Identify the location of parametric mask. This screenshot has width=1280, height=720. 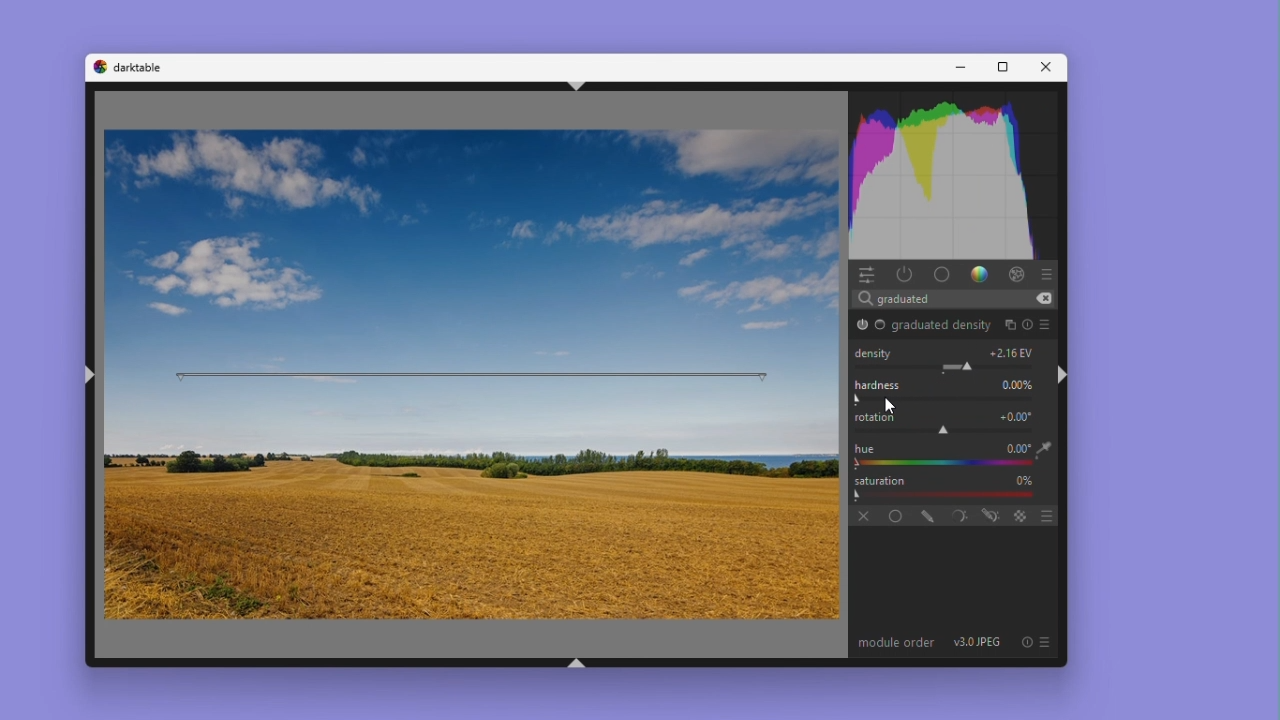
(956, 516).